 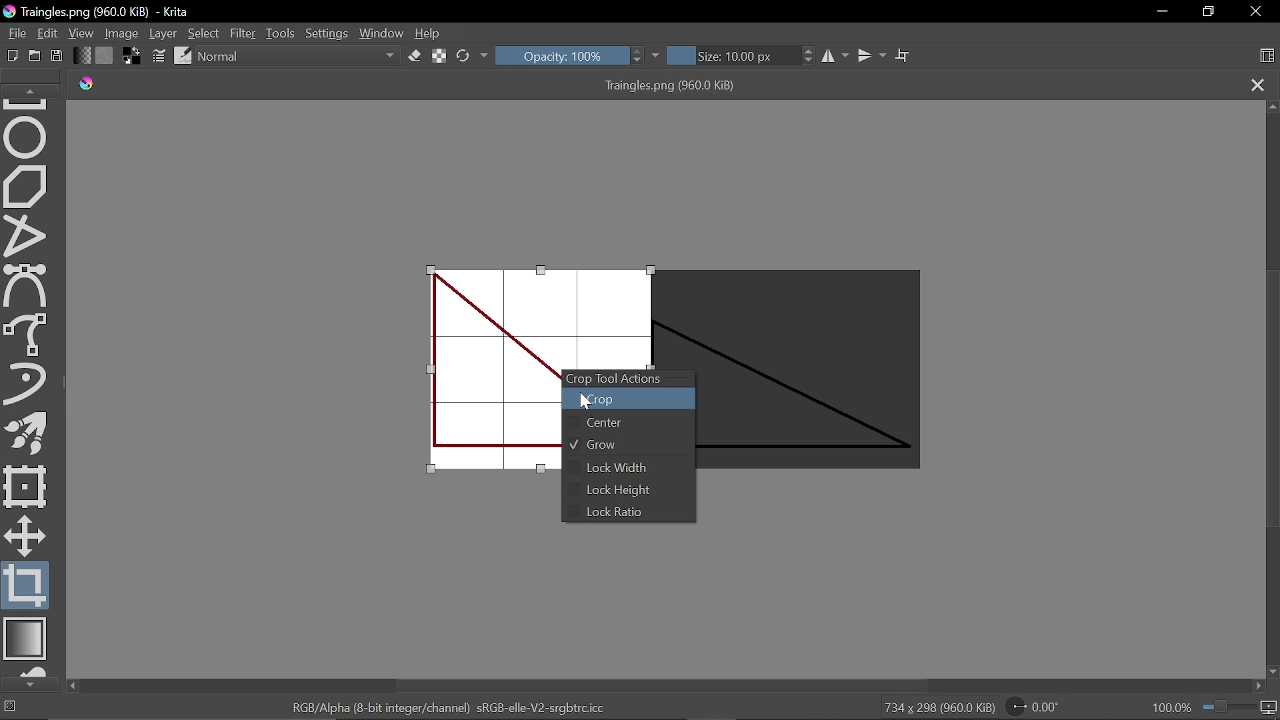 What do you see at coordinates (734, 56) in the screenshot?
I see `Size: 10.00 px` at bounding box center [734, 56].